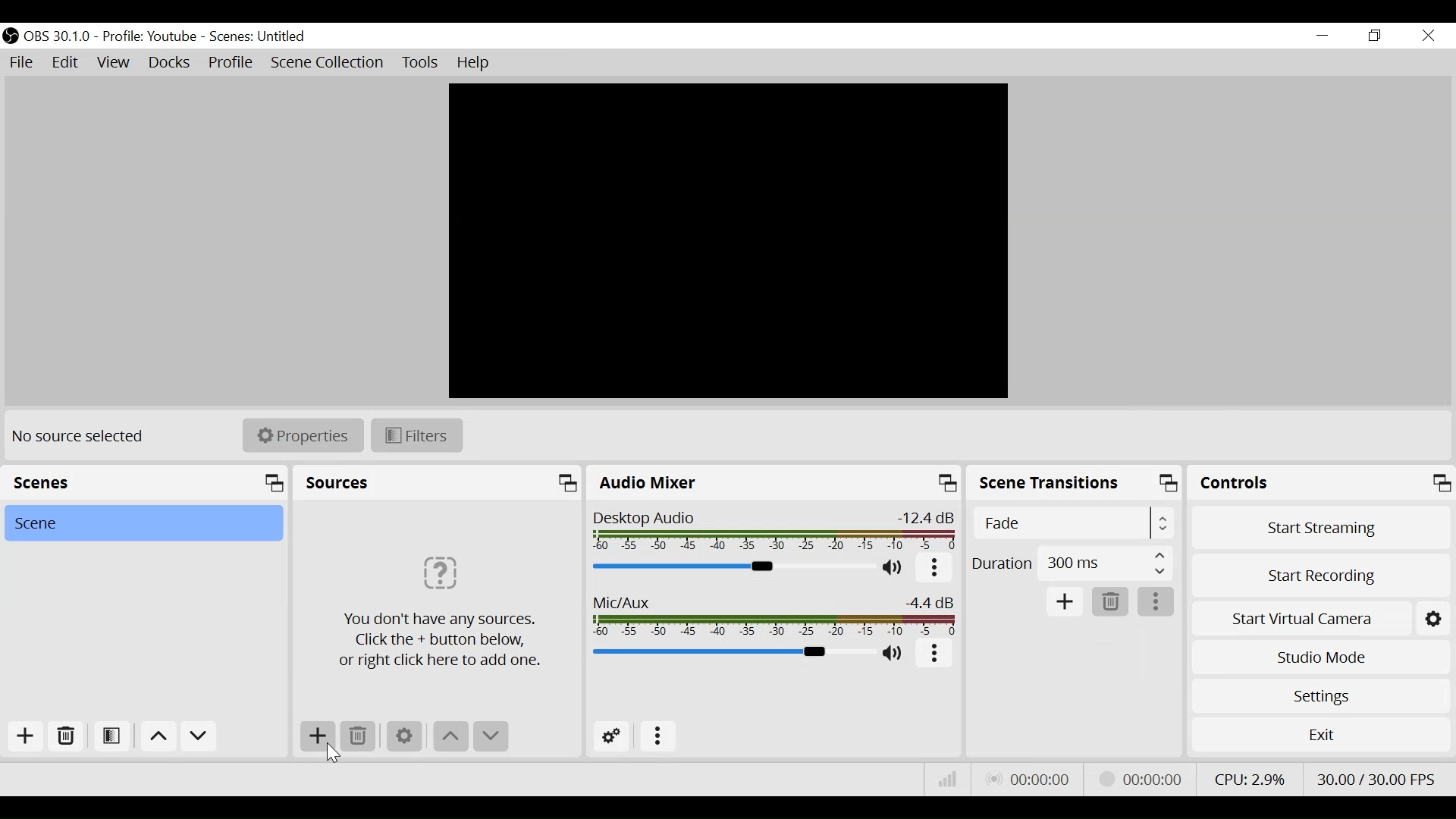 Image resolution: width=1456 pixels, height=819 pixels. Describe the element at coordinates (451, 738) in the screenshot. I see `Move up` at that location.